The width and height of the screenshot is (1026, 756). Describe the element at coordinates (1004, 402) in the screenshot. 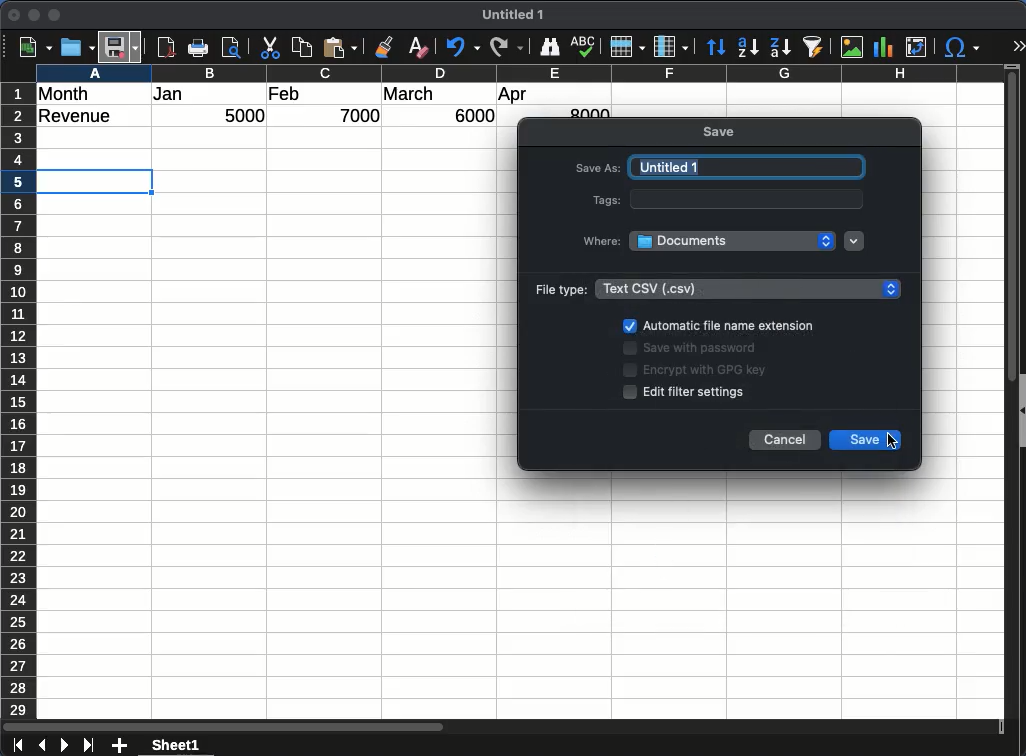

I see `scroll` at that location.